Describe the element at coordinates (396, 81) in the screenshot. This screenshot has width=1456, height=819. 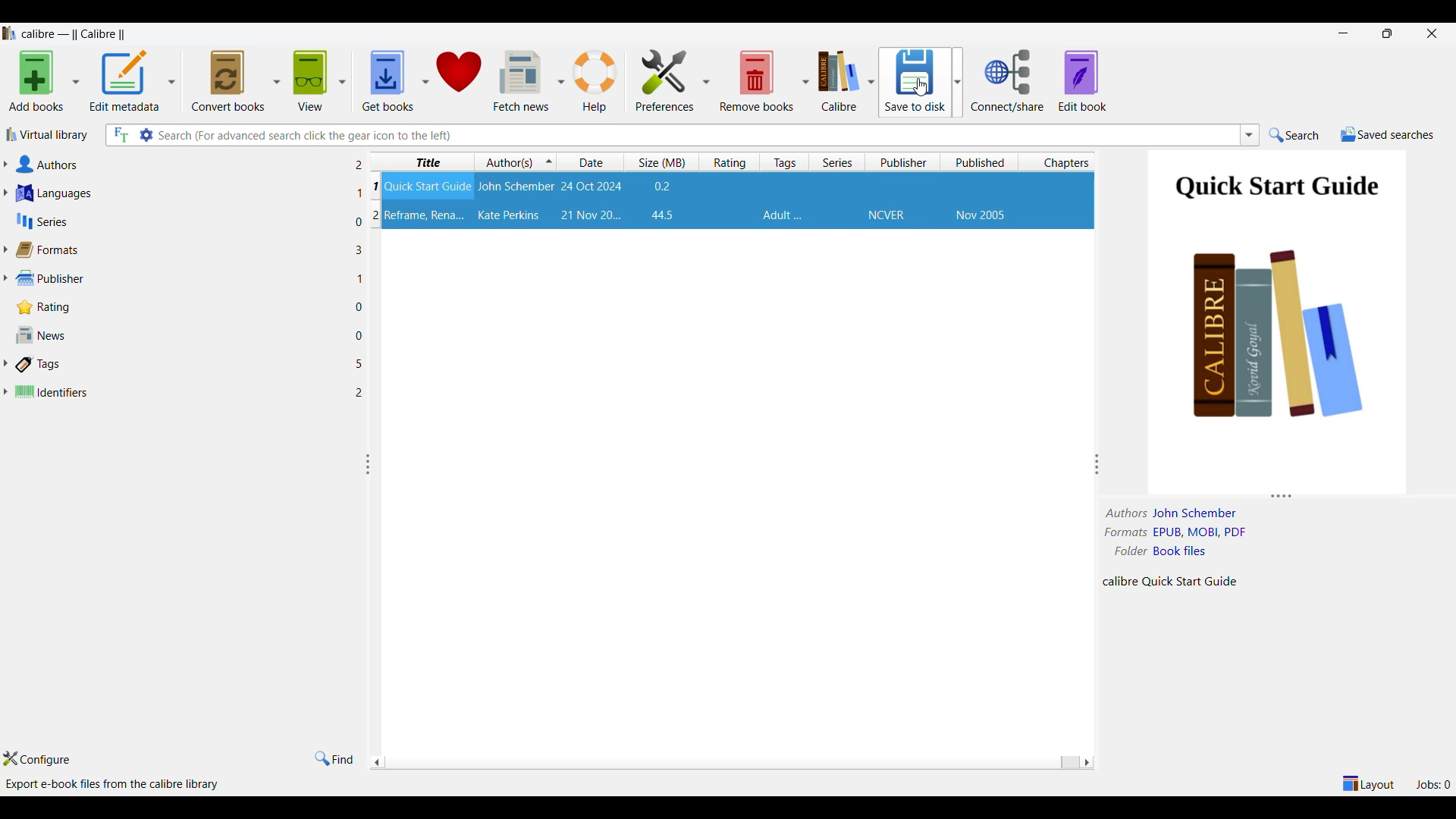
I see `Get book options` at that location.